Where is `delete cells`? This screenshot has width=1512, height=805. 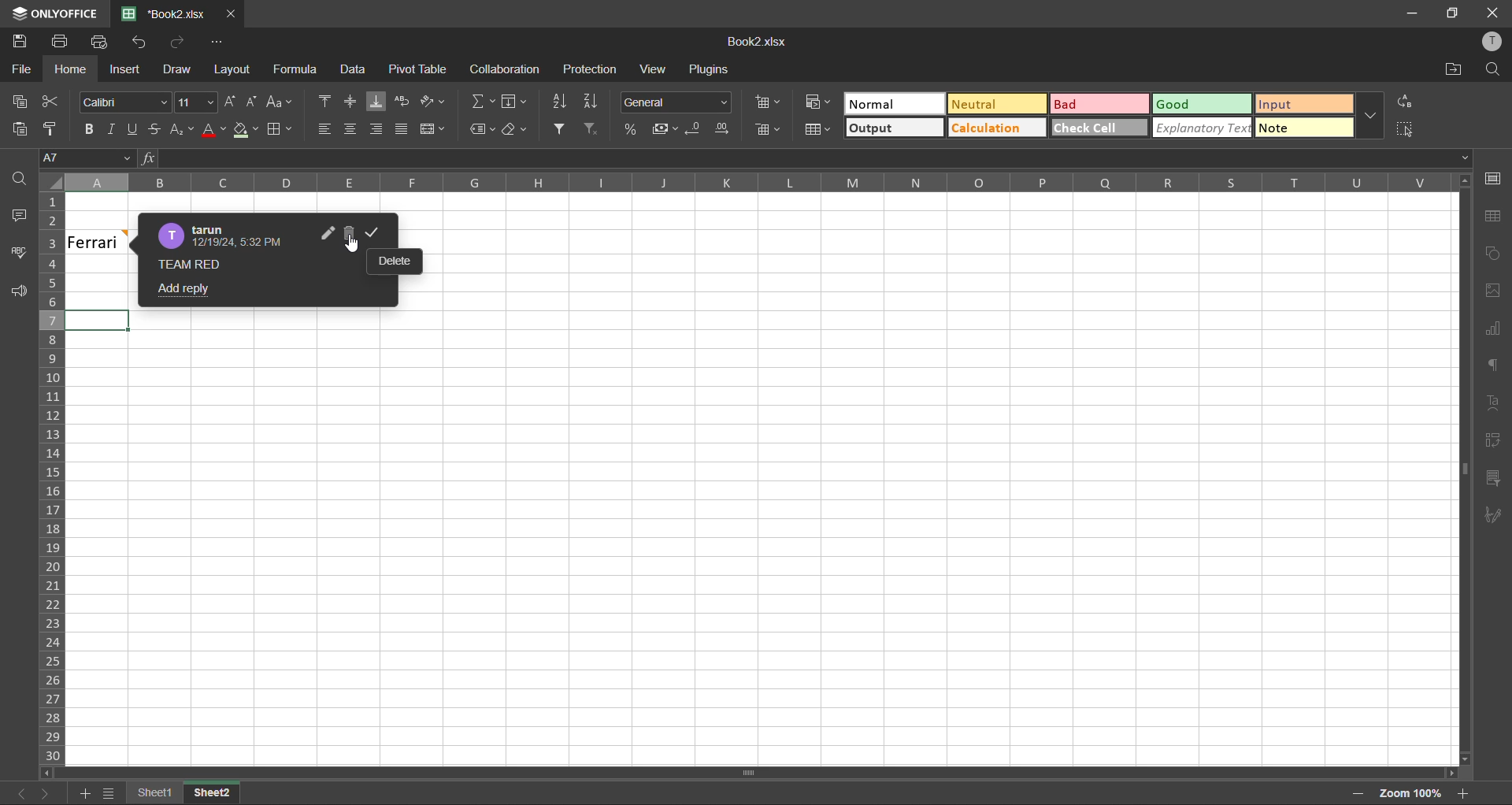
delete cells is located at coordinates (766, 132).